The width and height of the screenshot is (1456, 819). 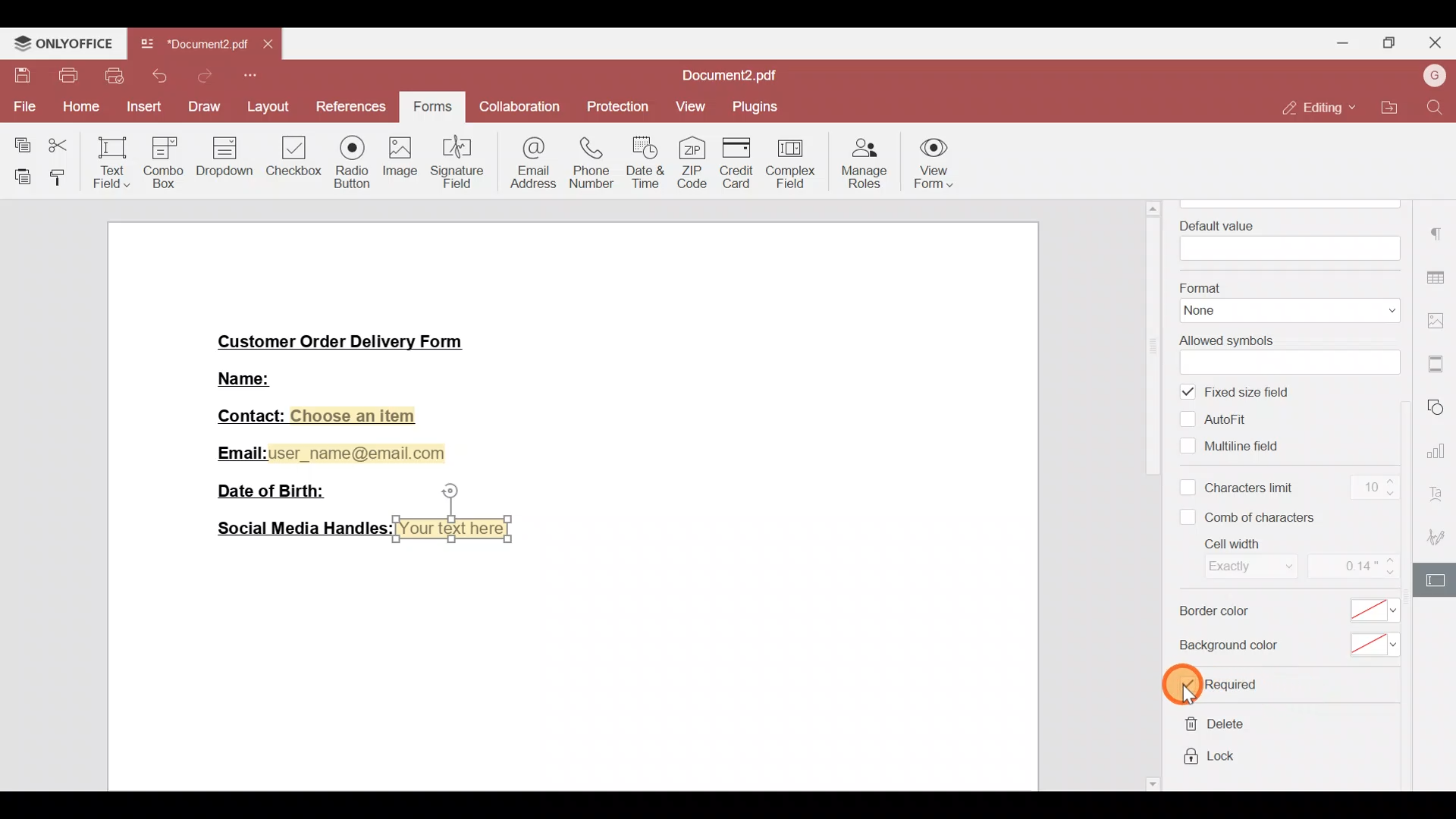 I want to click on Username, so click(x=1432, y=77).